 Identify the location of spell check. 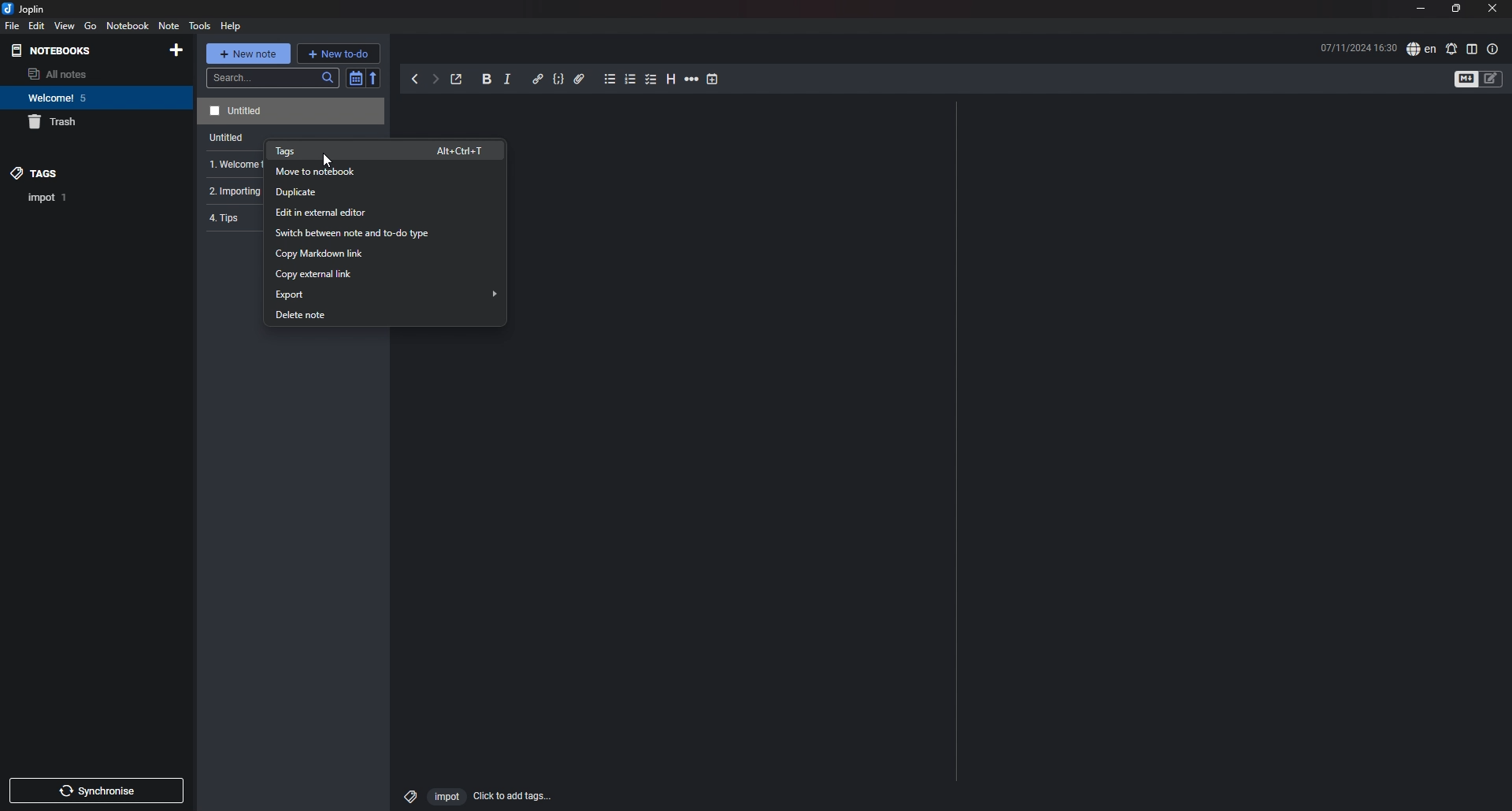
(1451, 49).